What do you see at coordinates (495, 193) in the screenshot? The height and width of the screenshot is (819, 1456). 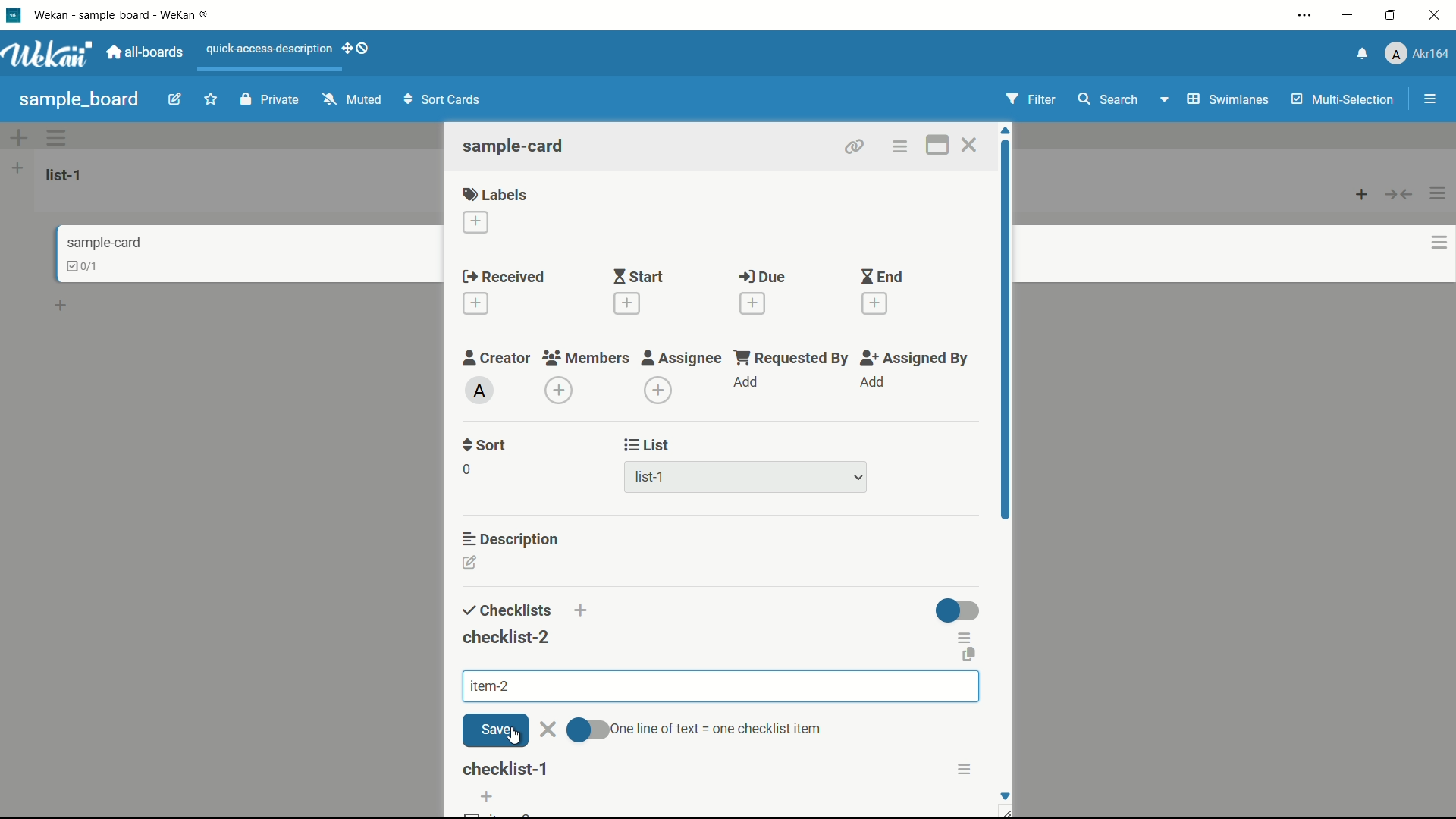 I see `labels` at bounding box center [495, 193].